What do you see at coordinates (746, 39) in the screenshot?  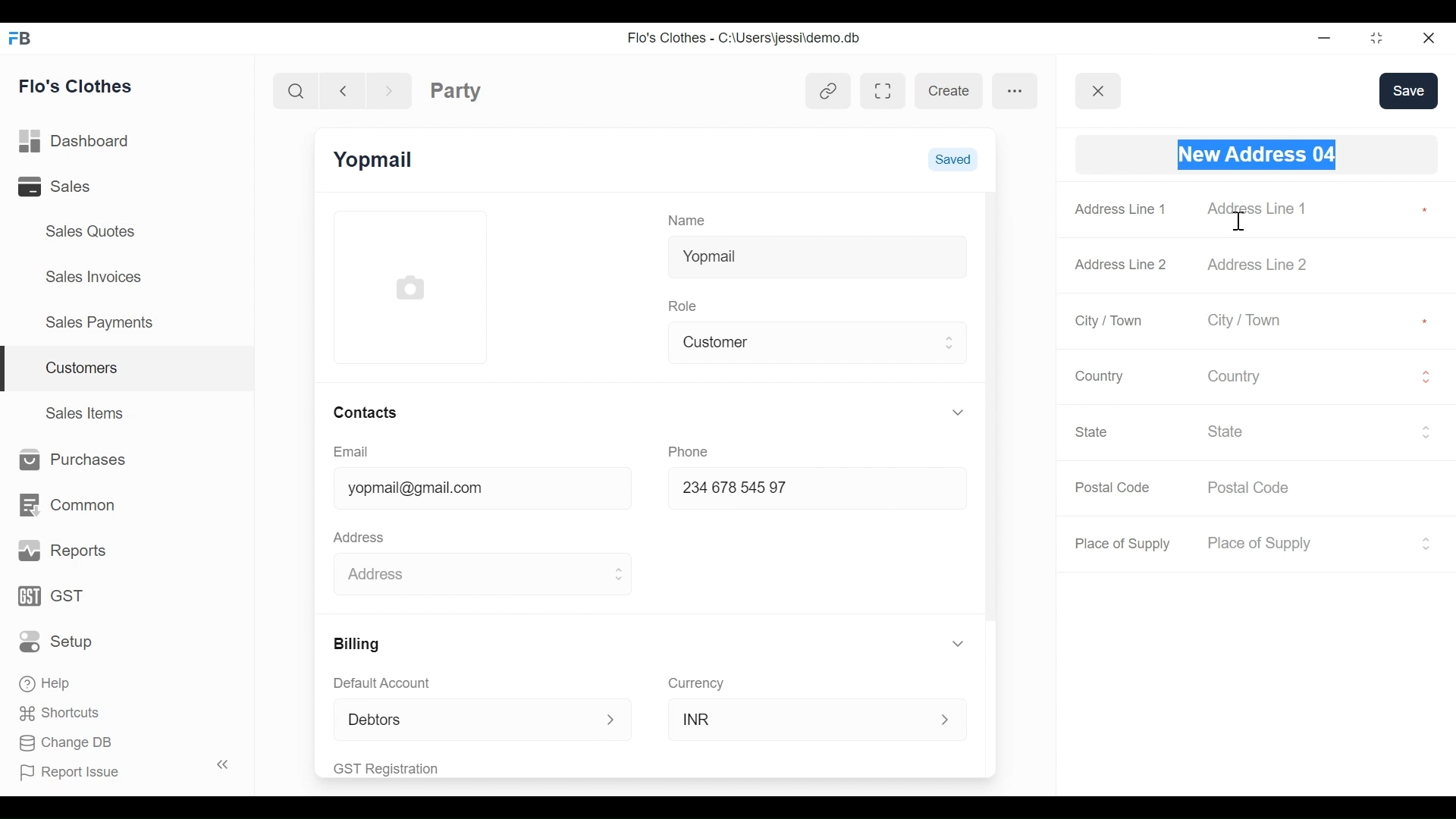 I see `Flo's Clothes - C:\Users\jessi\demo.db` at bounding box center [746, 39].